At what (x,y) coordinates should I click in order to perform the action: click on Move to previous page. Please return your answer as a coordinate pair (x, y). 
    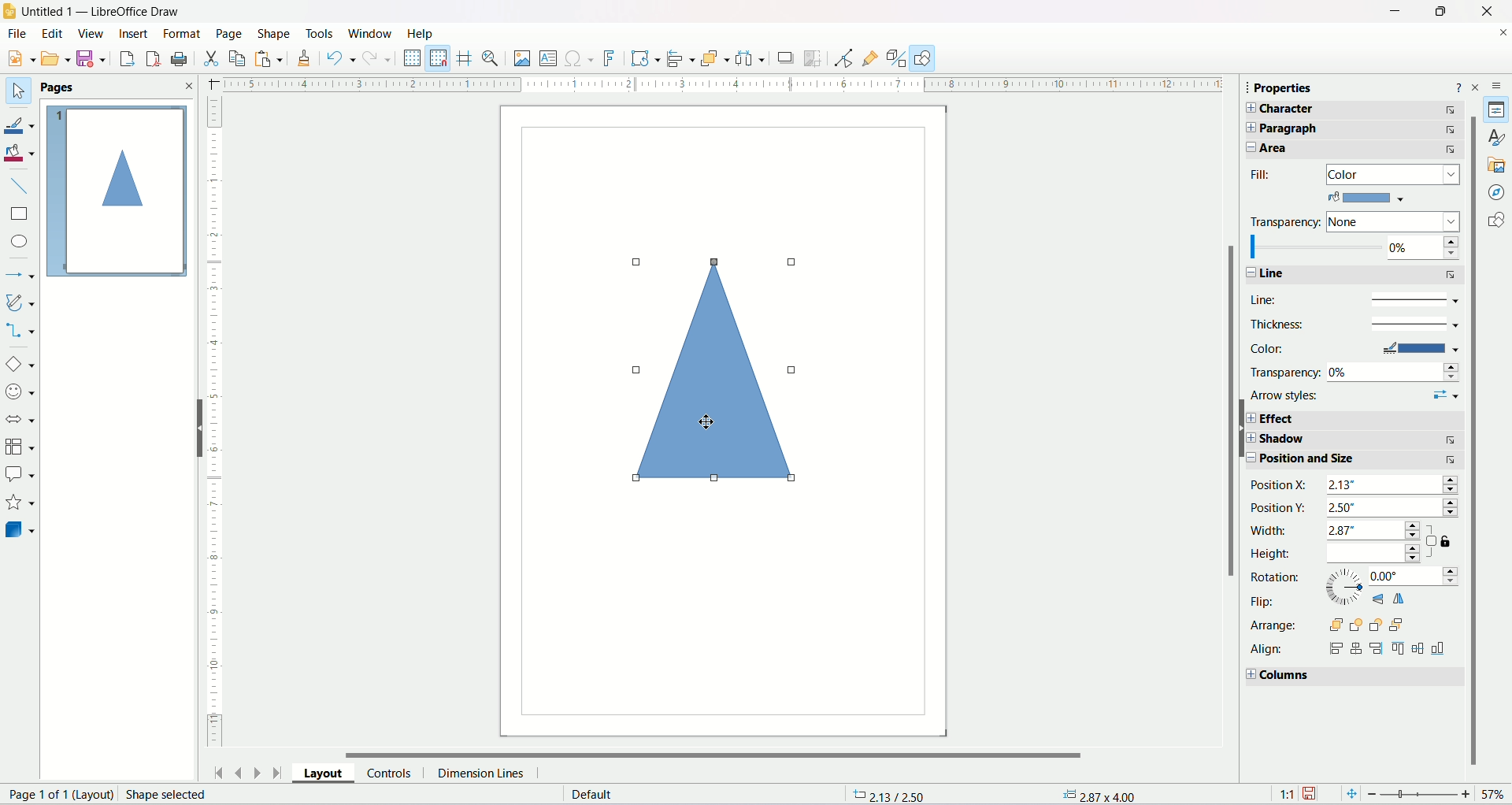
    Looking at the image, I should click on (236, 772).